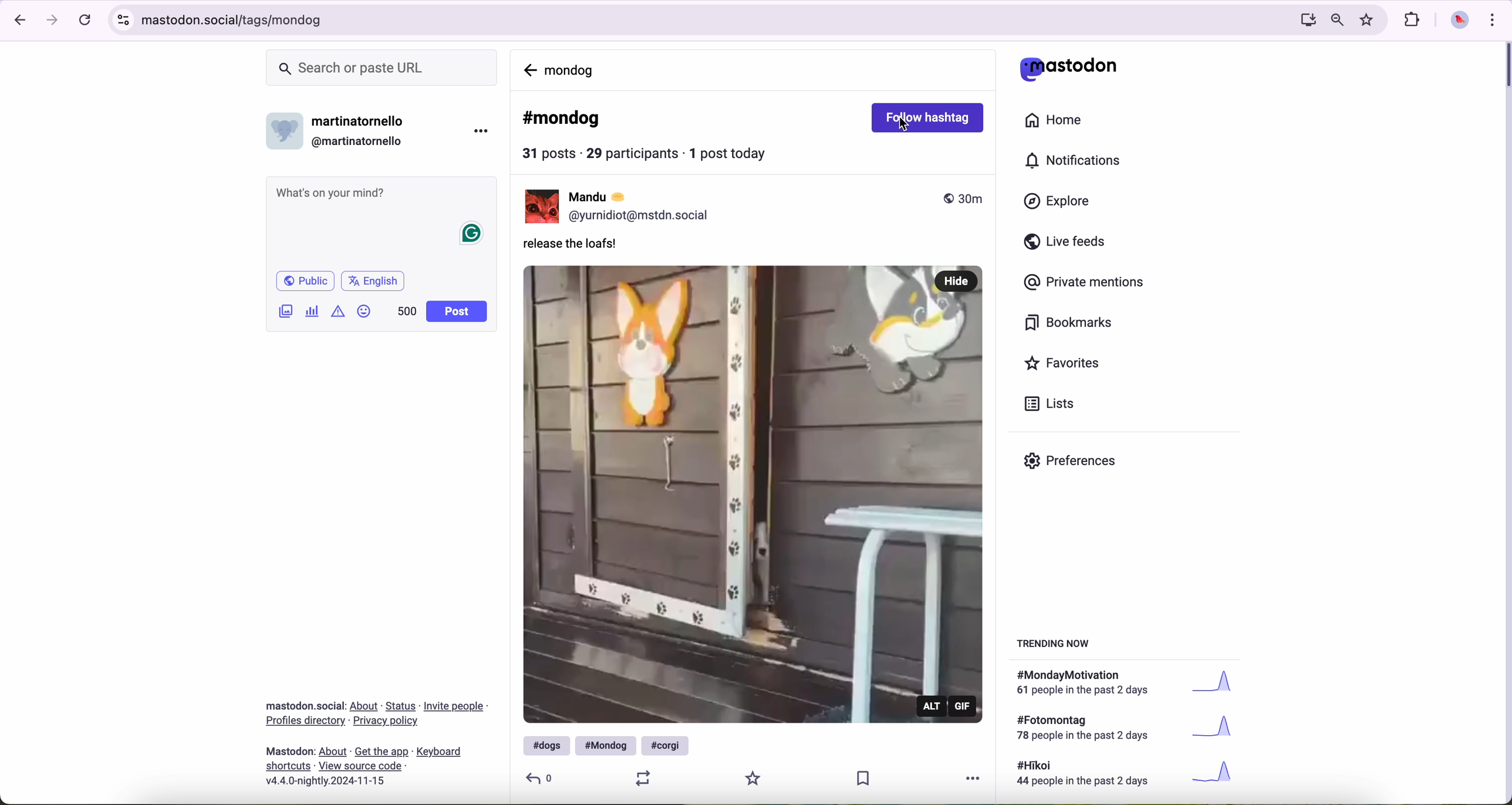 Image resolution: width=1512 pixels, height=805 pixels. I want to click on #corgi, so click(667, 745).